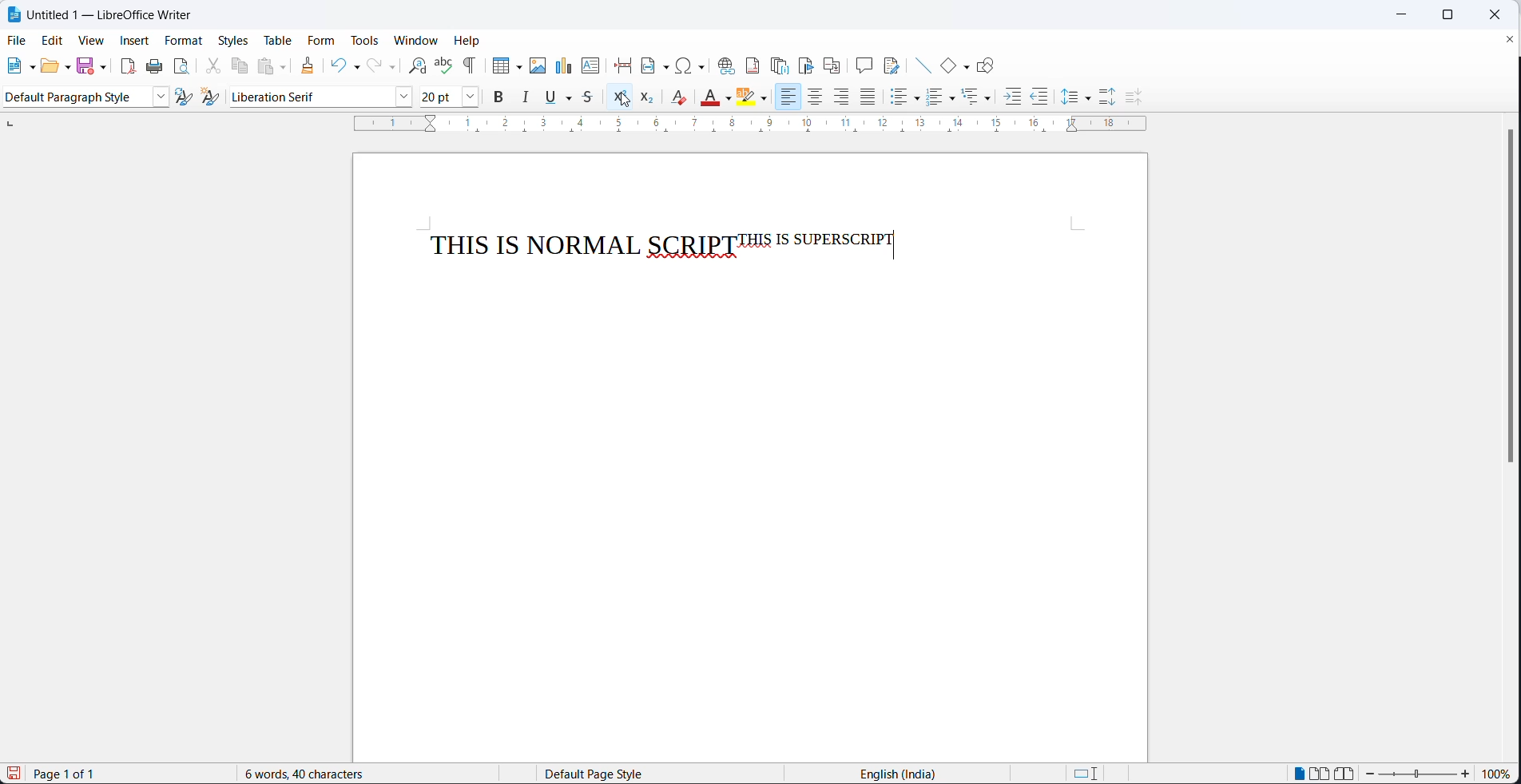  I want to click on close document, so click(1508, 38).